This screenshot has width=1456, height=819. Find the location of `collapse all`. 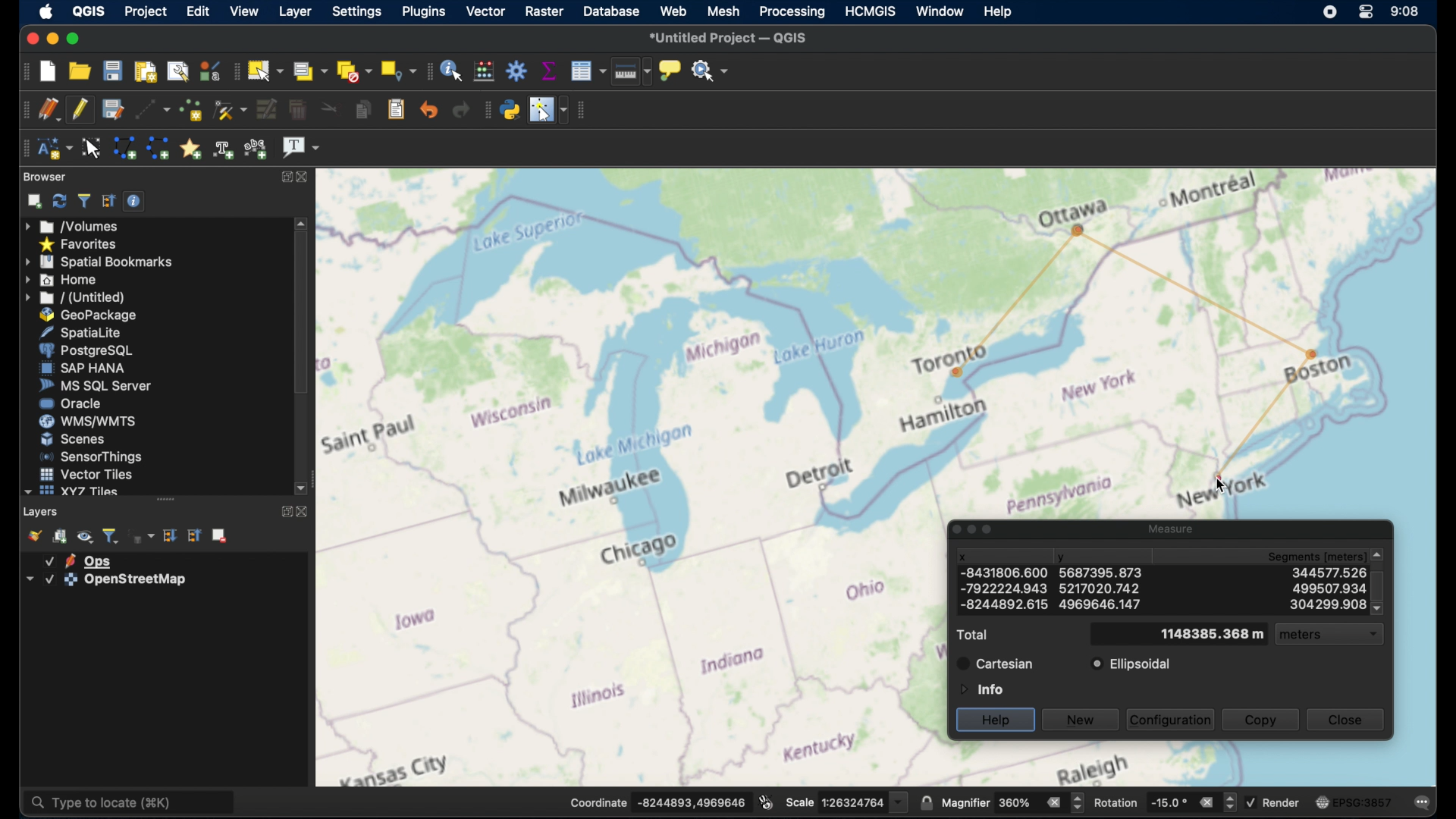

collapse all is located at coordinates (194, 535).